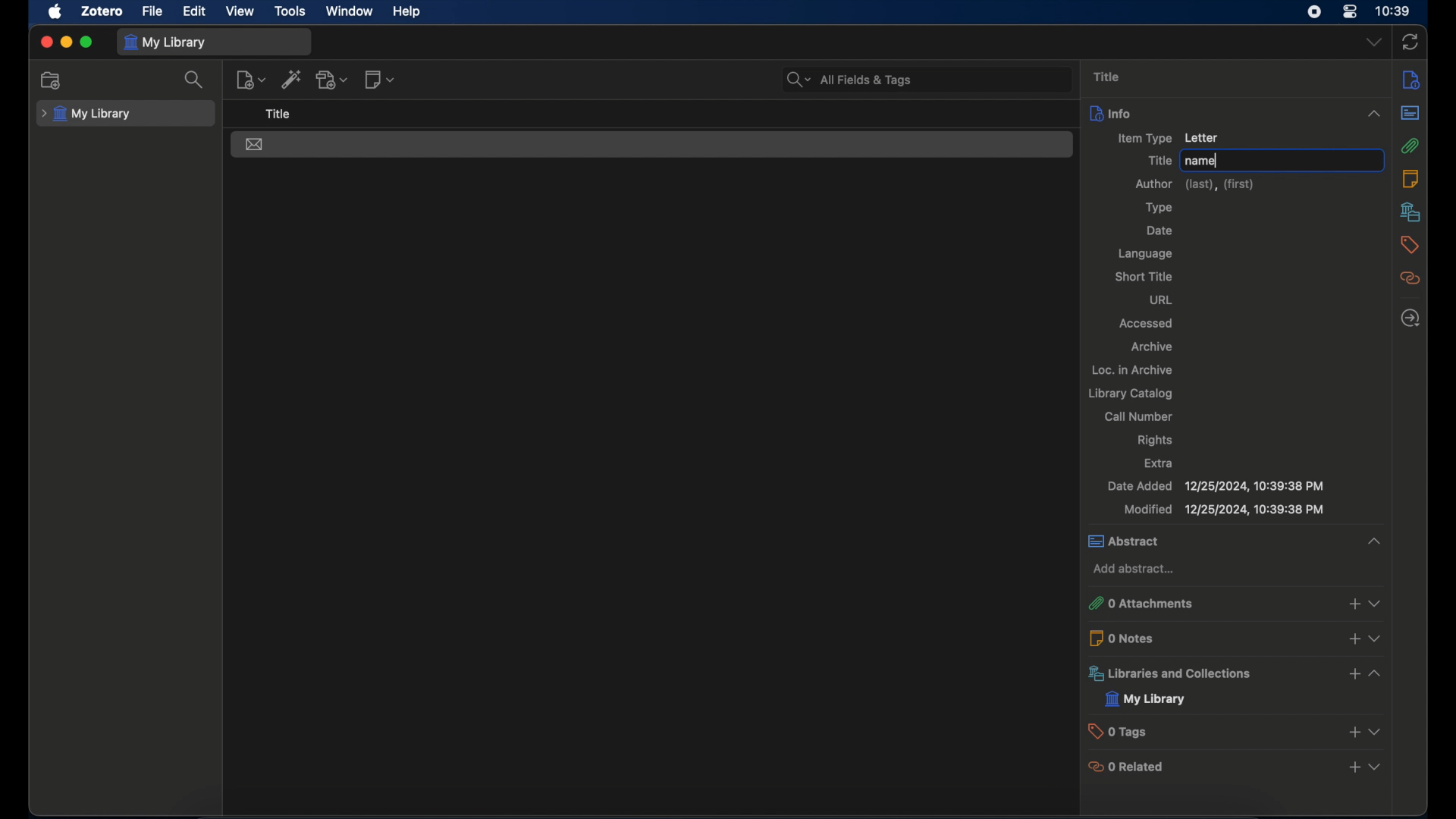 Image resolution: width=1456 pixels, height=819 pixels. I want to click on time, so click(1393, 11).